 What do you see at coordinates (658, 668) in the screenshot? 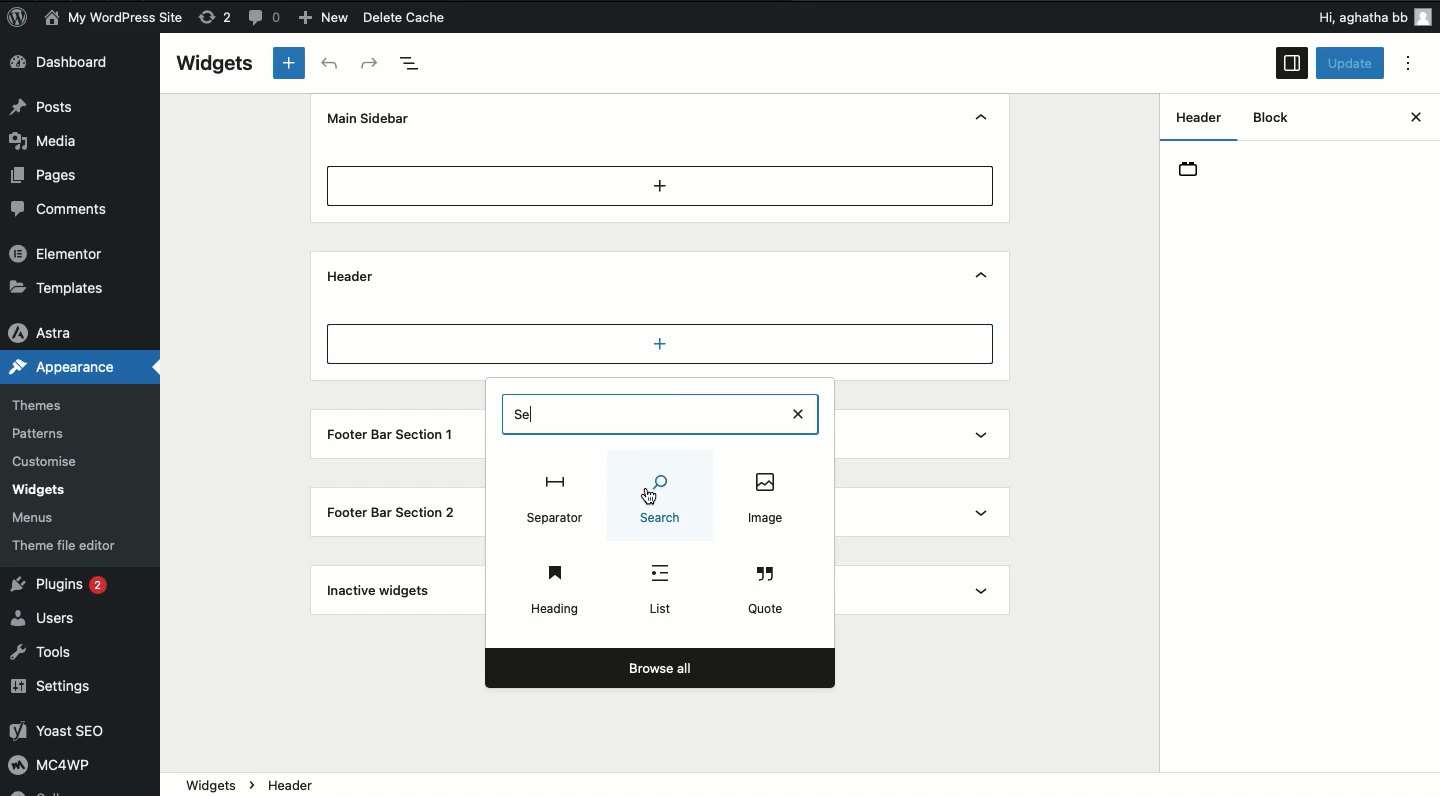
I see `Browse all` at bounding box center [658, 668].